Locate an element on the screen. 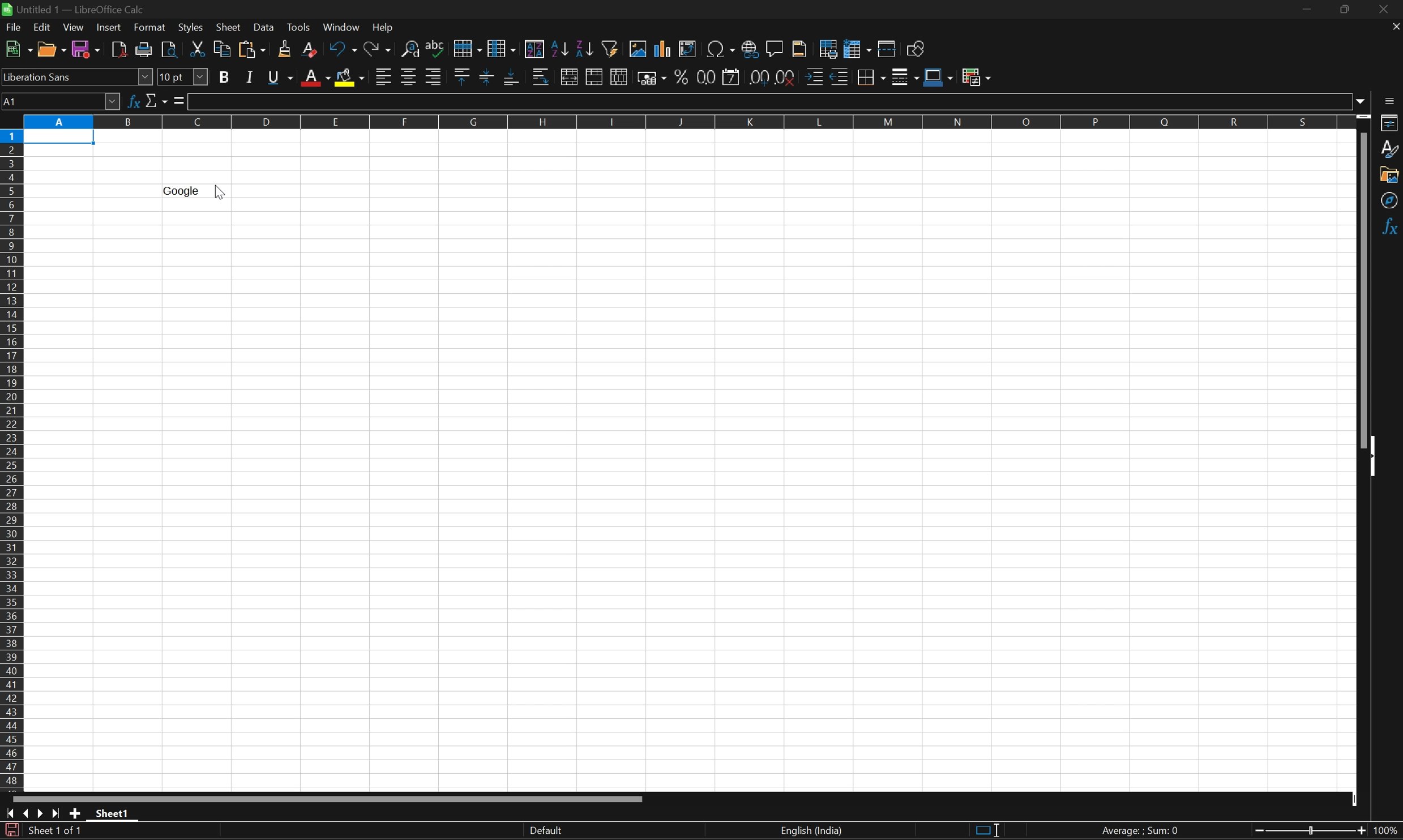 The height and width of the screenshot is (840, 1403). Select function is located at coordinates (156, 100).